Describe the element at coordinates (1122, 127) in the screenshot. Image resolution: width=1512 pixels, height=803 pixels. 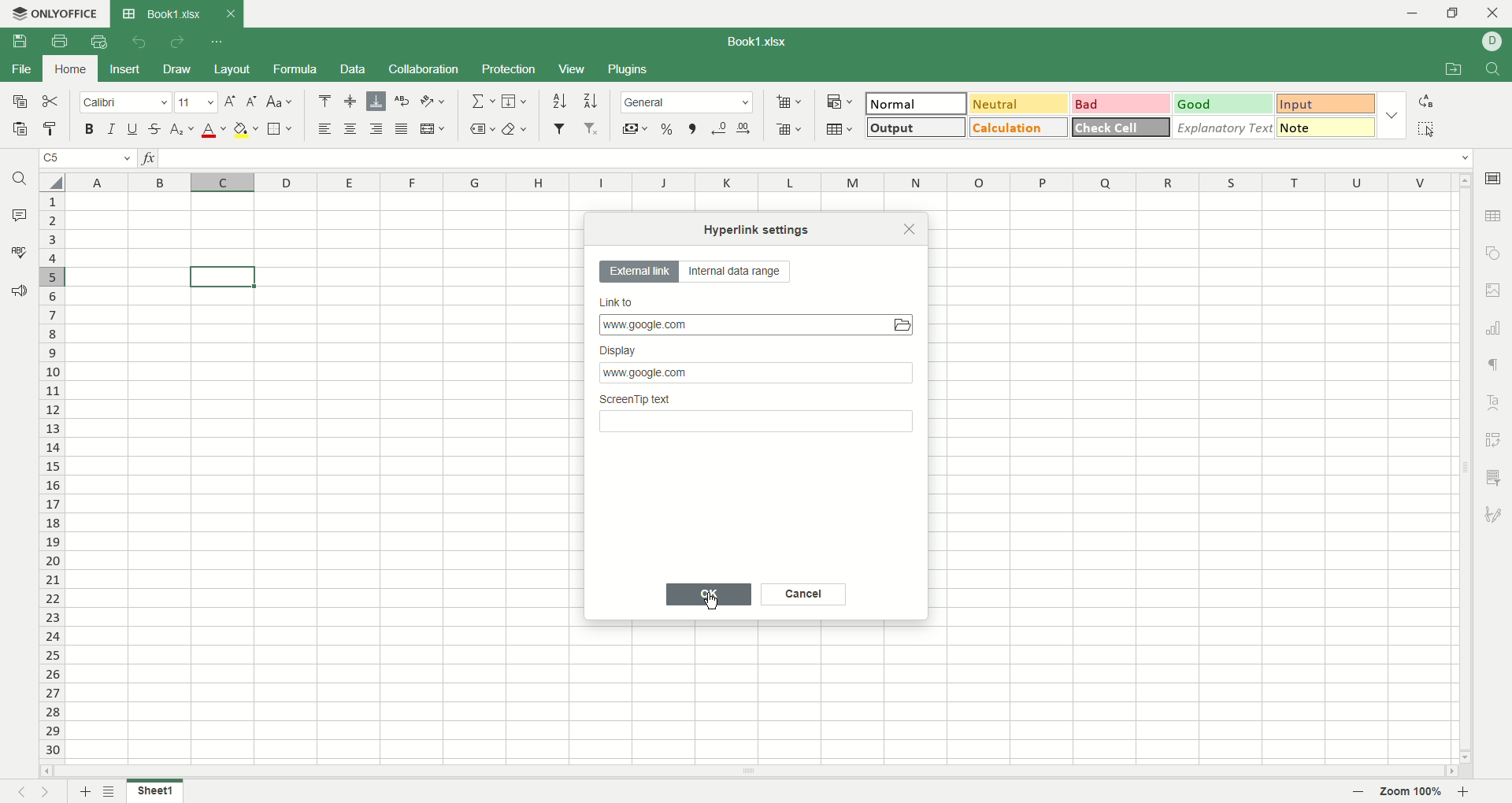
I see `check cell` at that location.